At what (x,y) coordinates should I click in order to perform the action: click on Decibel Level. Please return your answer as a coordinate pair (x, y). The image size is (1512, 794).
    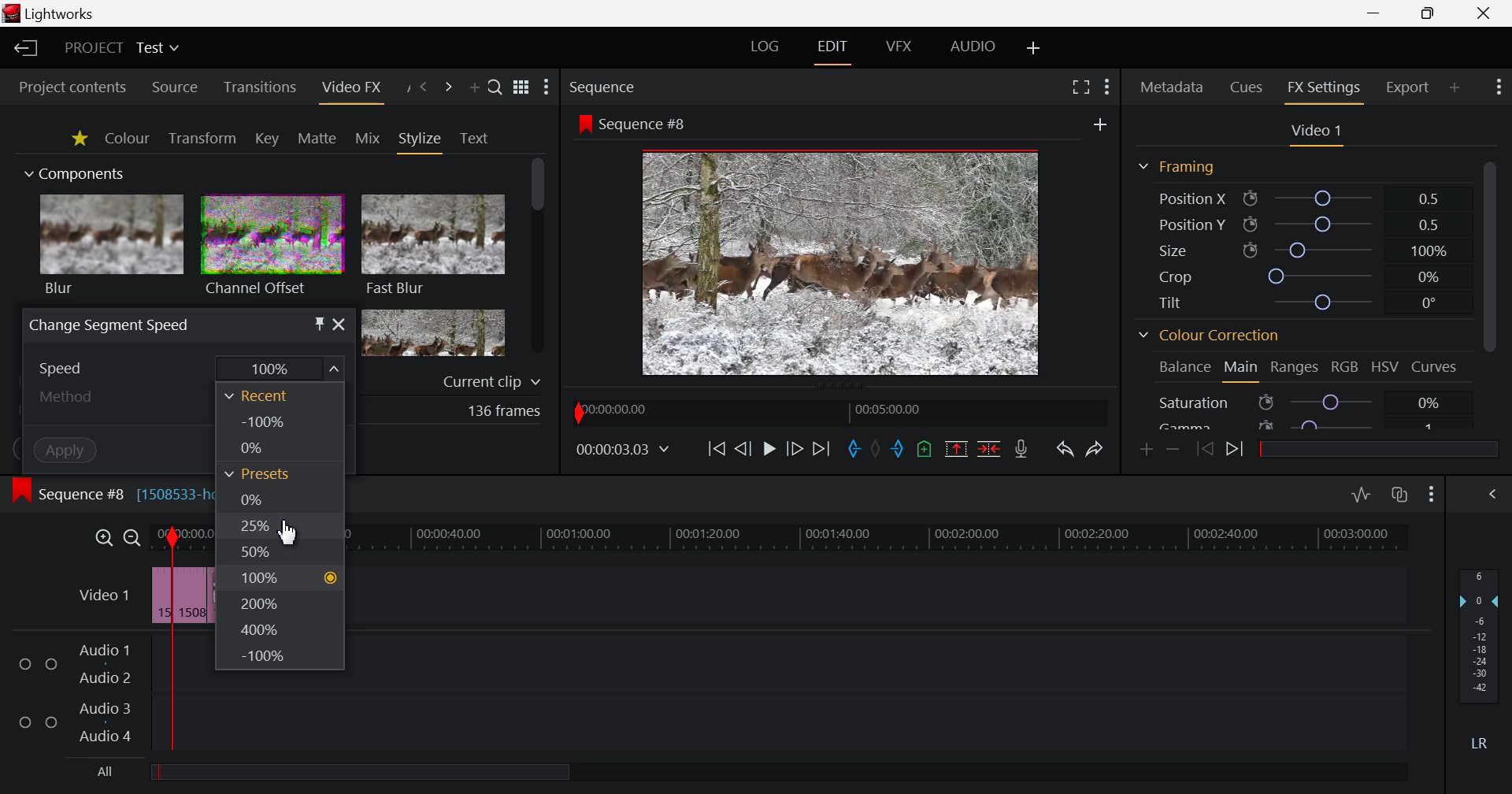
    Looking at the image, I should click on (1480, 655).